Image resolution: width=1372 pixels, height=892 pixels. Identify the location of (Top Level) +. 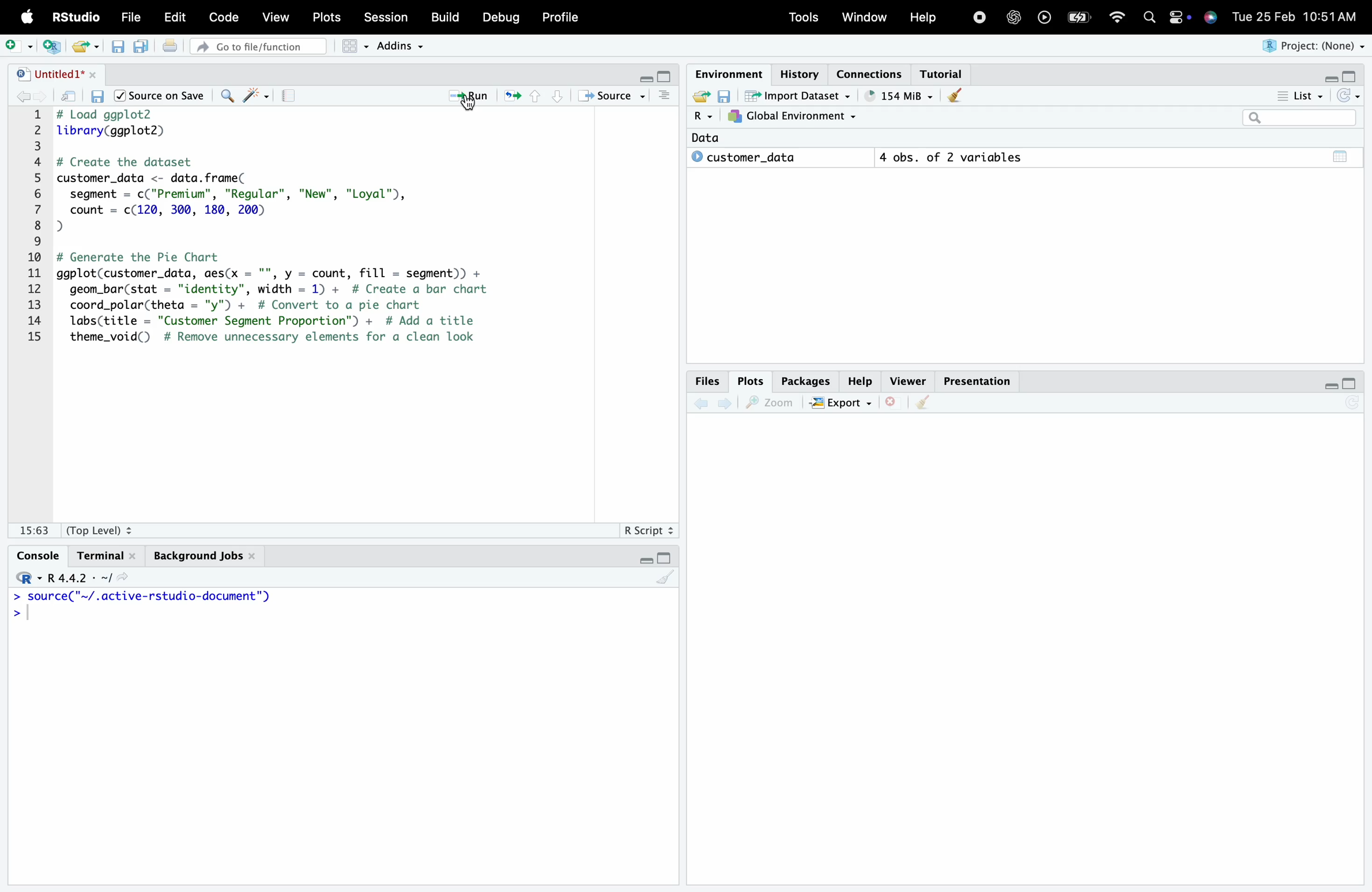
(99, 530).